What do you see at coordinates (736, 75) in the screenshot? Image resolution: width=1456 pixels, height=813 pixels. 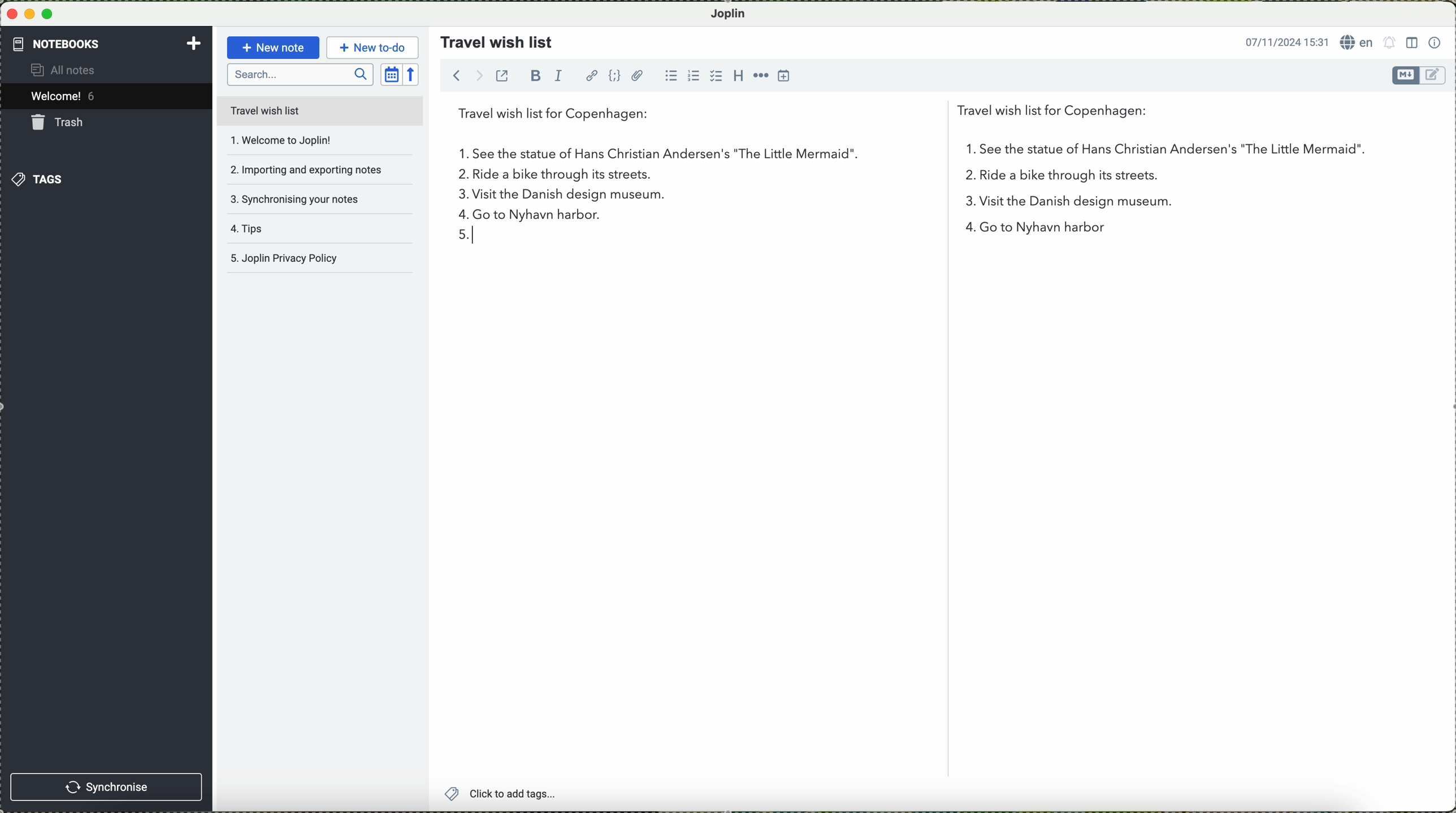 I see `heading` at bounding box center [736, 75].